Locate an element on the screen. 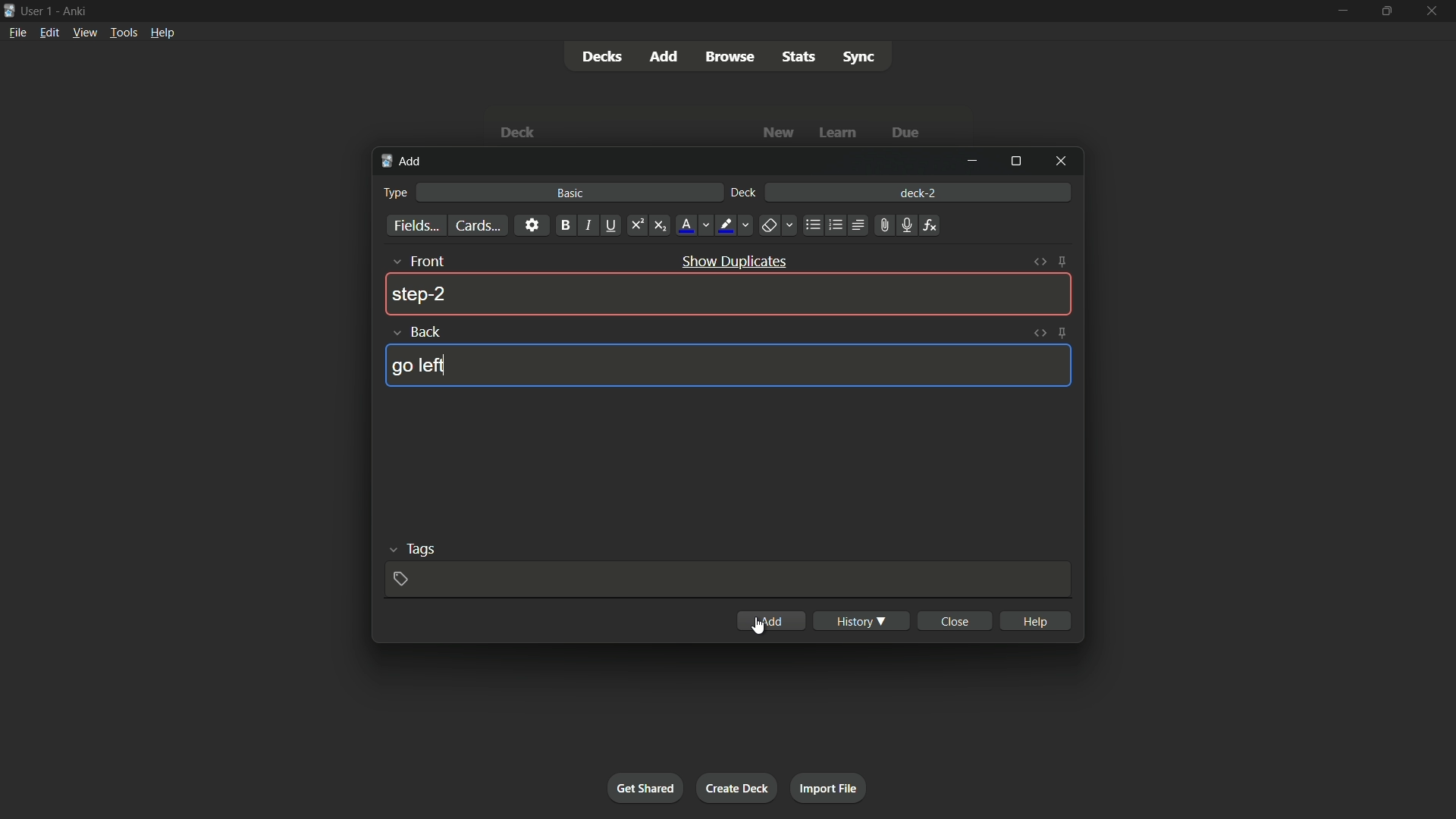 The width and height of the screenshot is (1456, 819). cards is located at coordinates (479, 225).